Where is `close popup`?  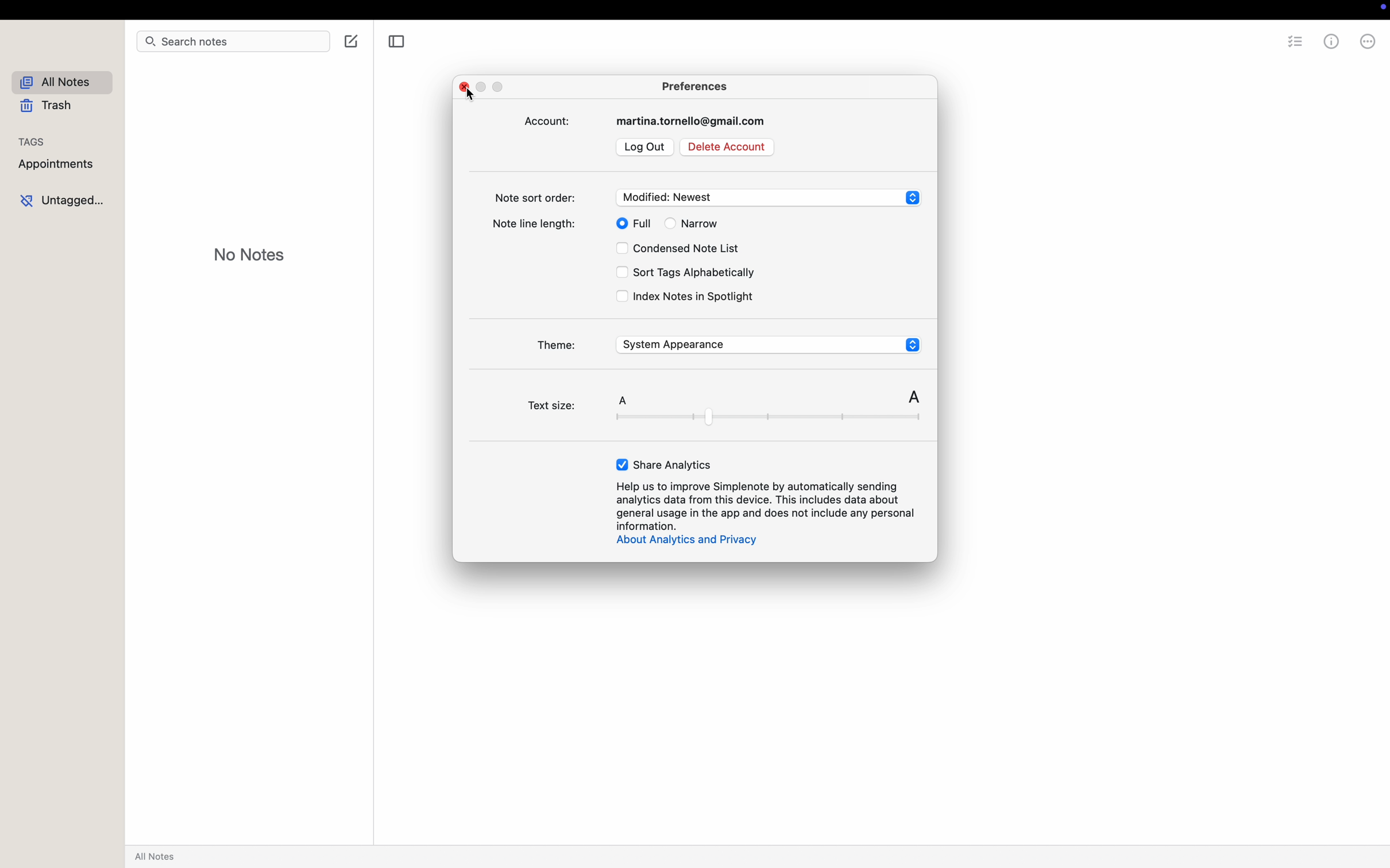 close popup is located at coordinates (463, 86).